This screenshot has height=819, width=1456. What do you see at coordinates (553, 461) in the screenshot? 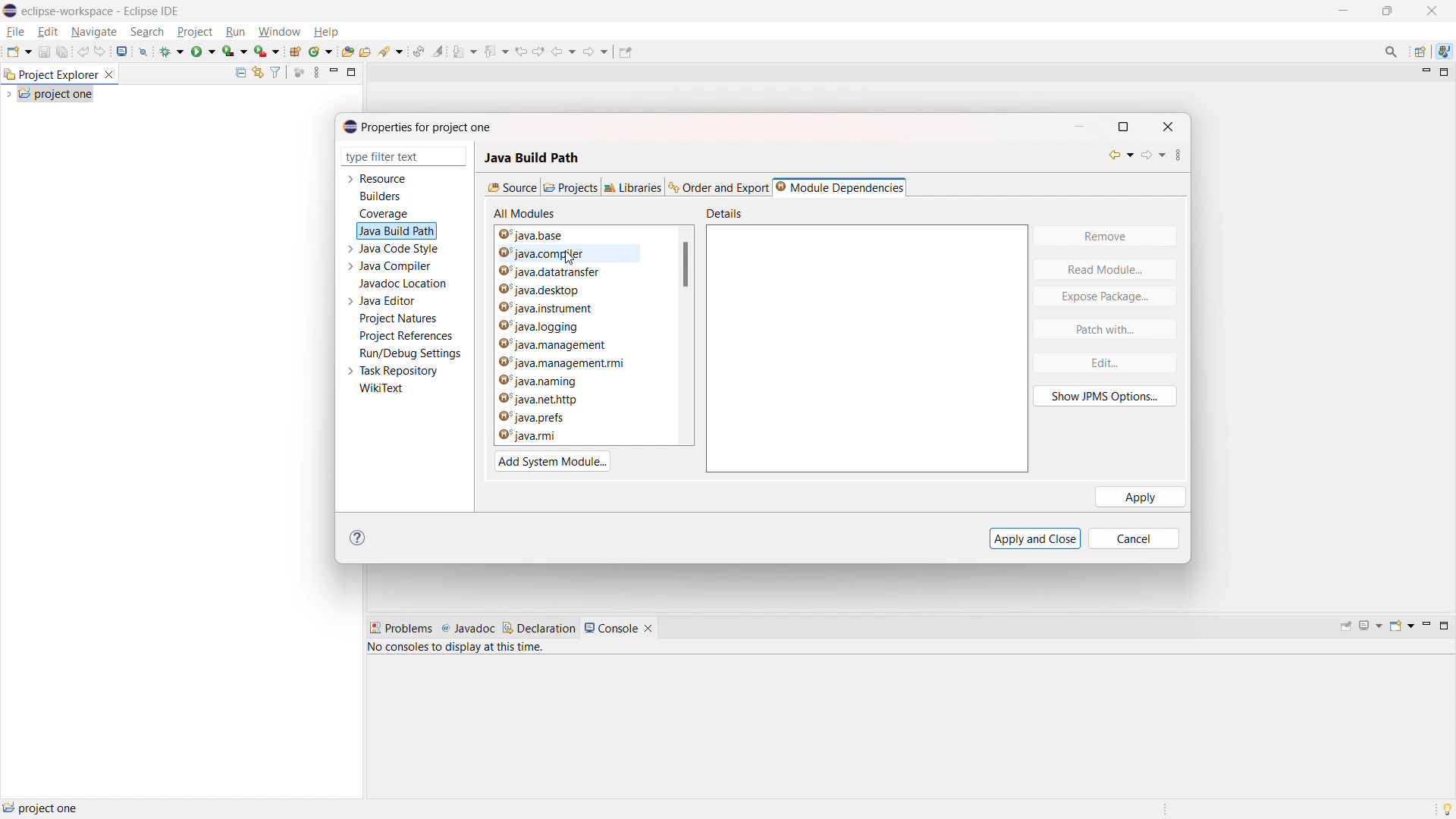
I see `add system module` at bounding box center [553, 461].